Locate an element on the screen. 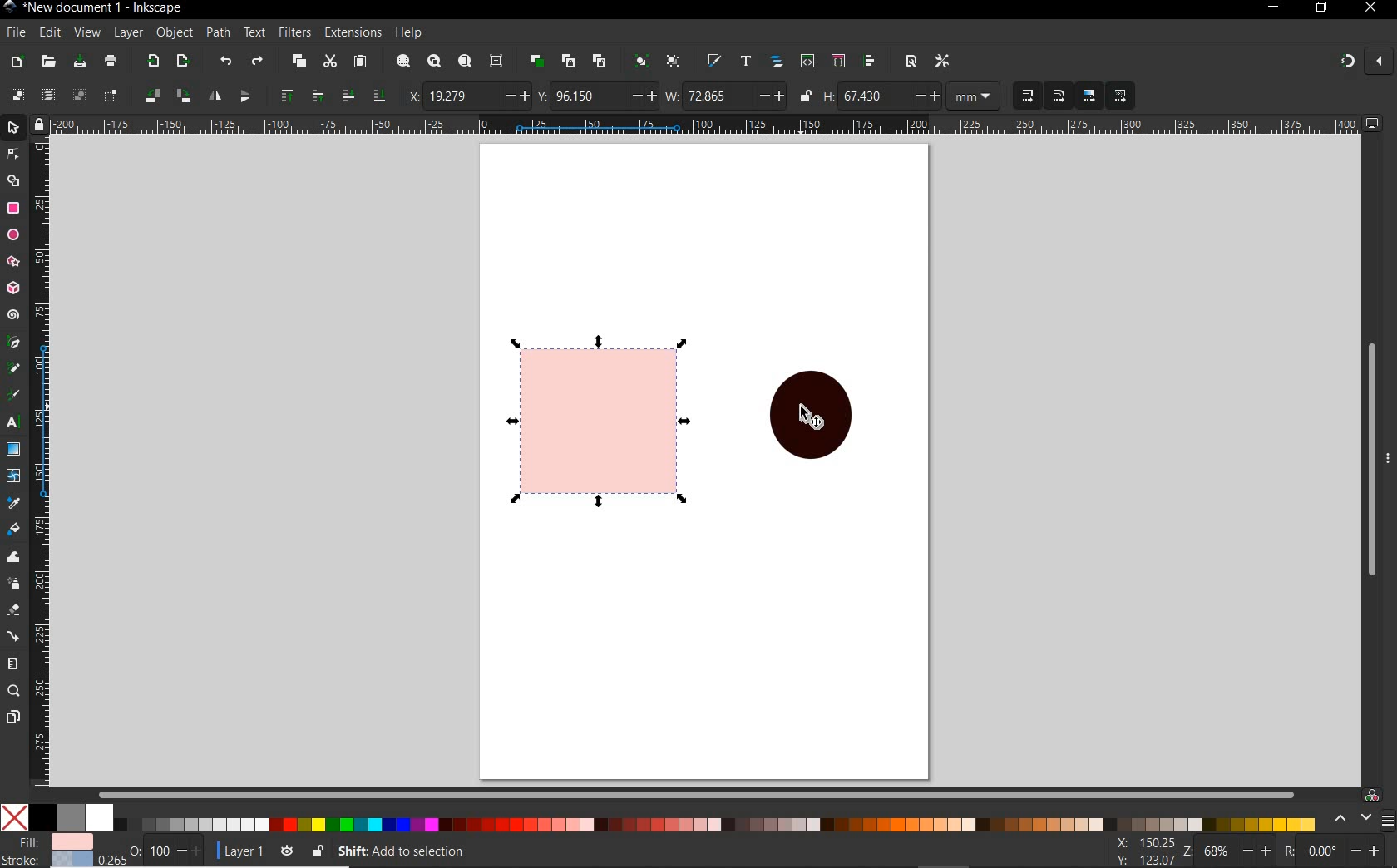  deselect is located at coordinates (79, 97).